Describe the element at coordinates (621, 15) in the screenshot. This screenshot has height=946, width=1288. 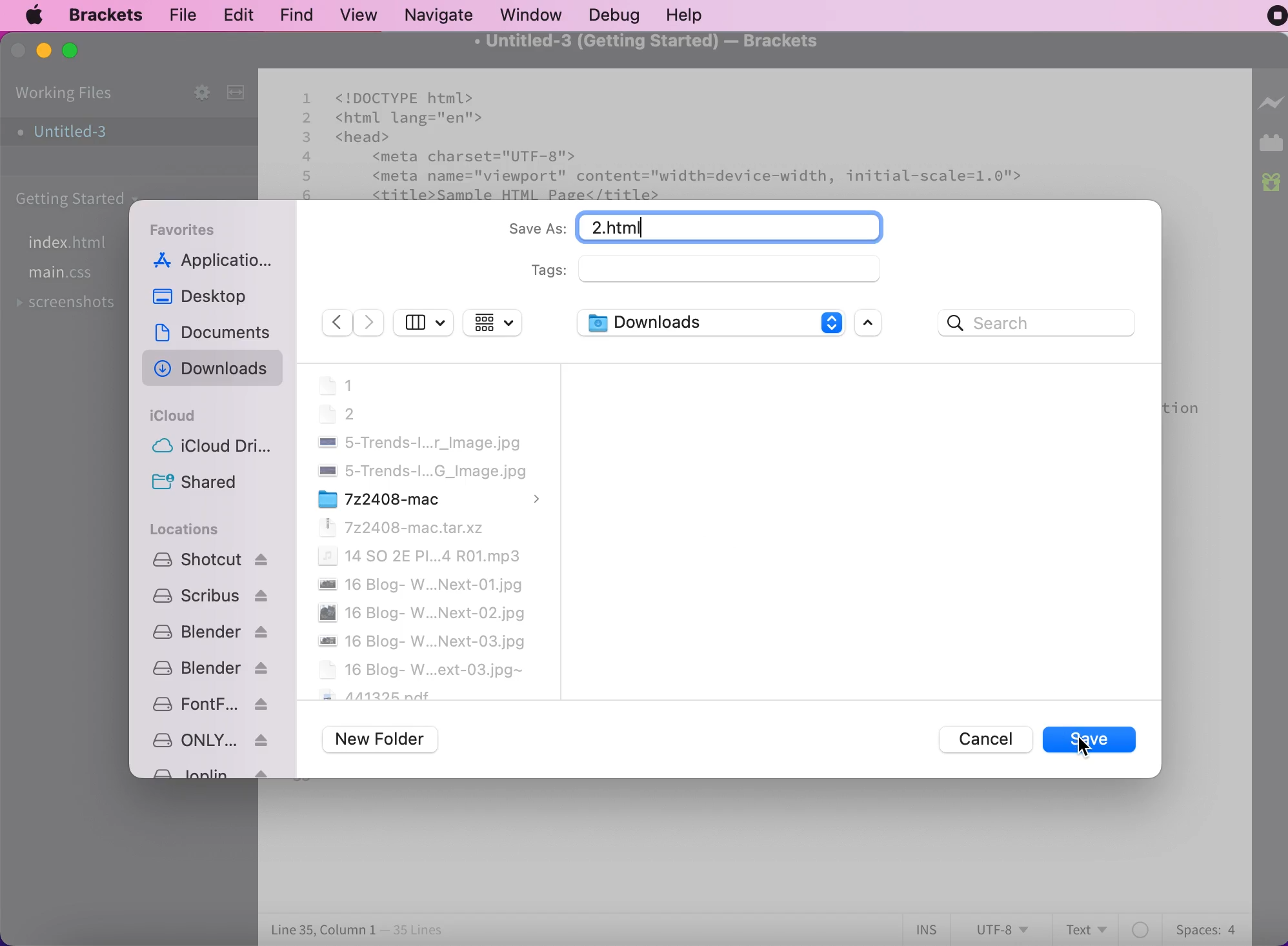
I see `debug` at that location.